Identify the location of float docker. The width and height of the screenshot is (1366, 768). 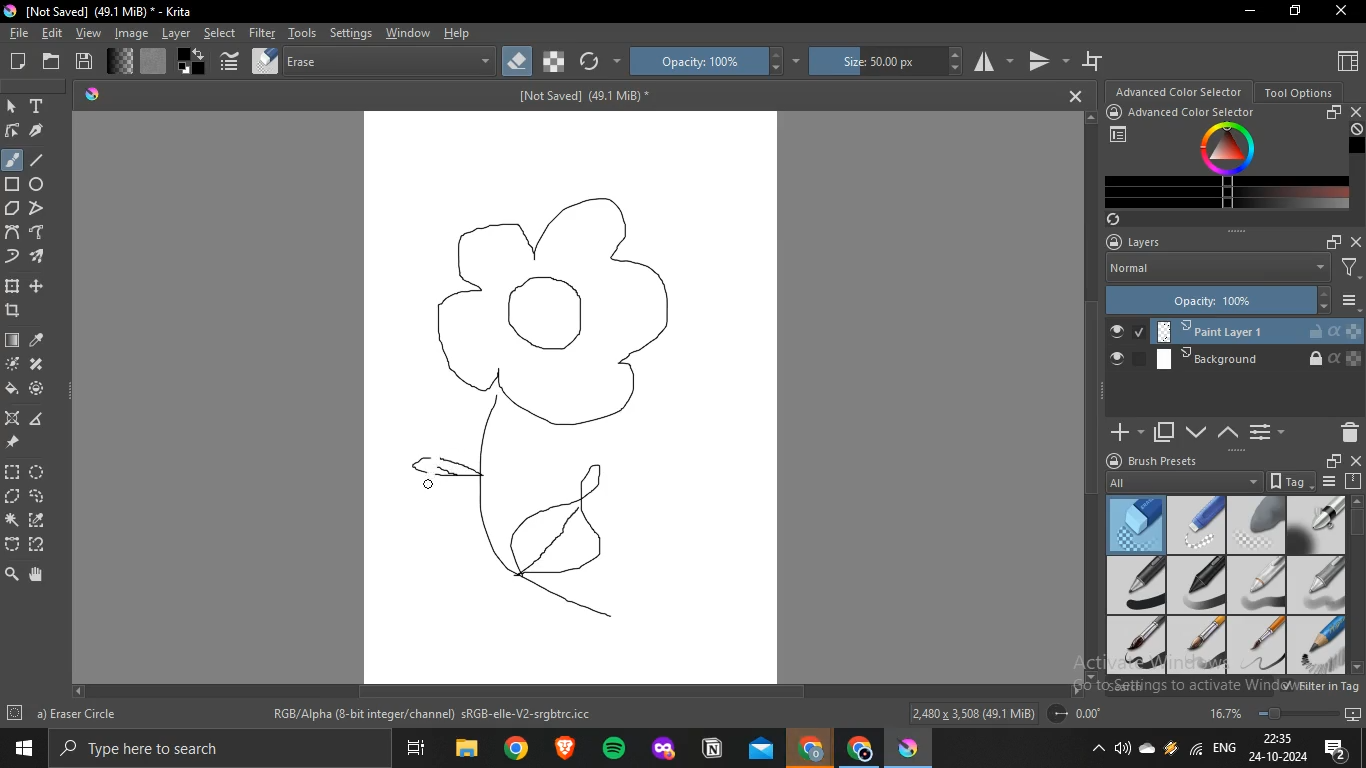
(1333, 241).